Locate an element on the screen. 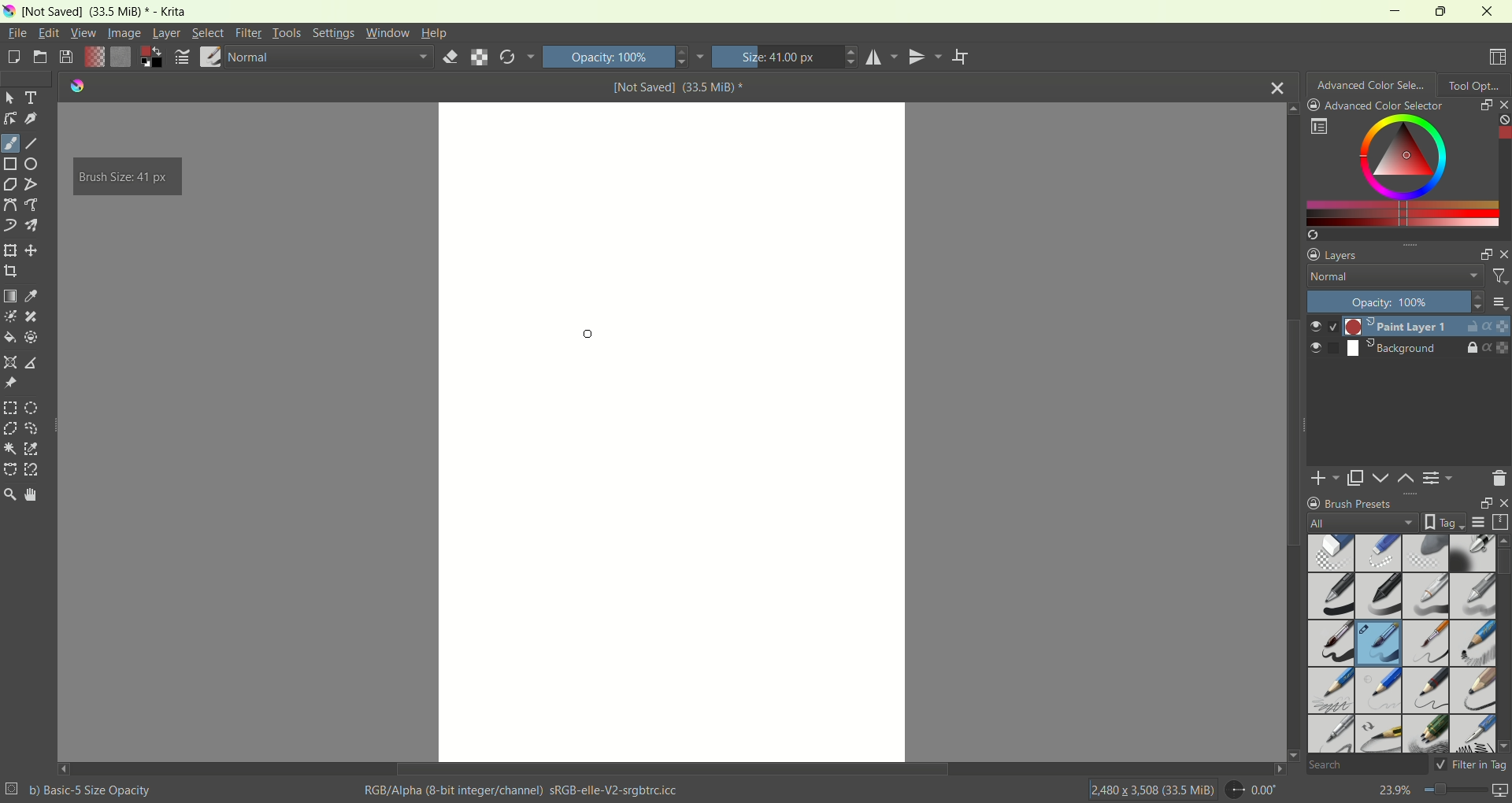 This screenshot has width=1512, height=803. vertical scroll bar is located at coordinates (1290, 431).